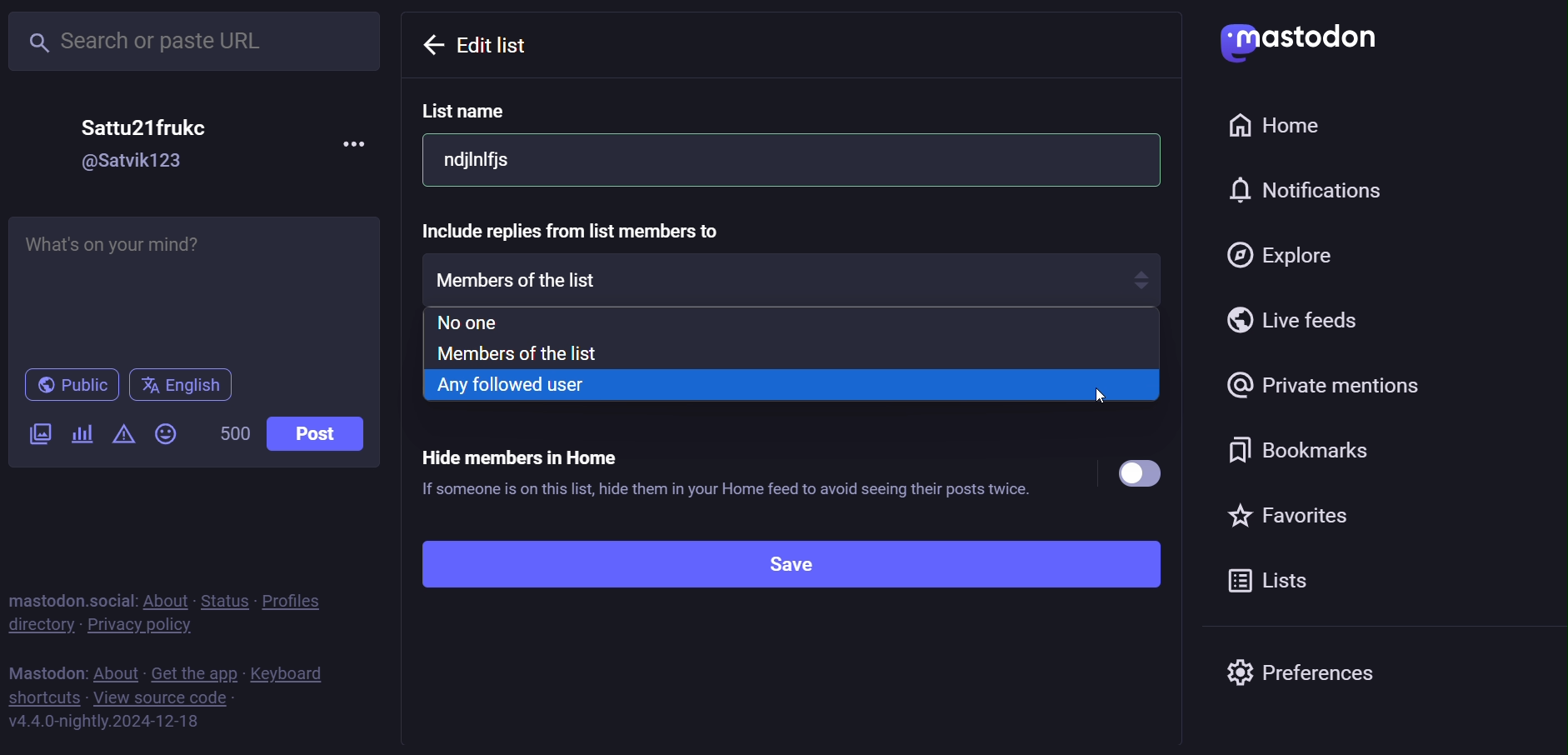  Describe the element at coordinates (482, 42) in the screenshot. I see `Edit list` at that location.